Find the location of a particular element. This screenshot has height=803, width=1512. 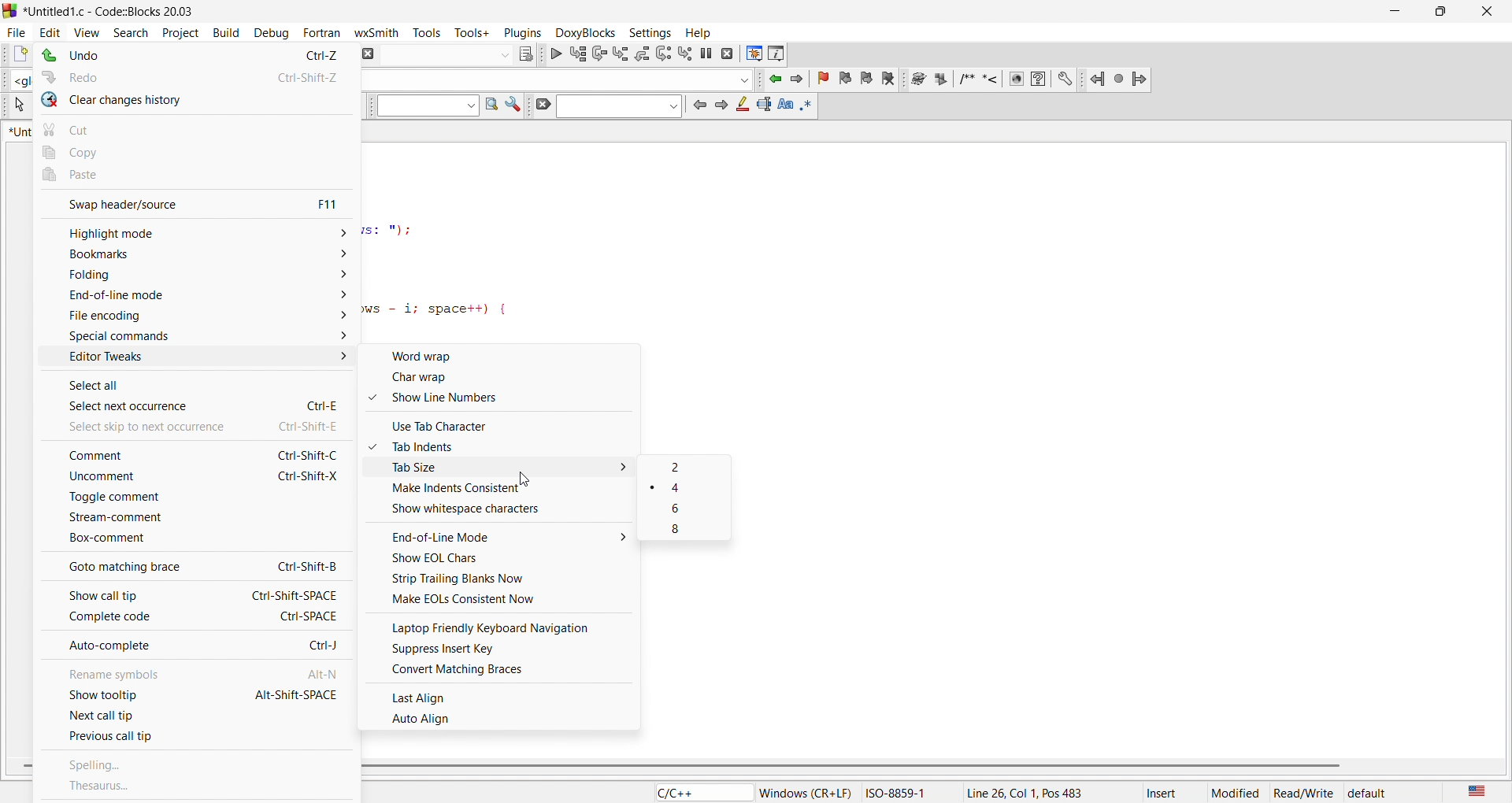

f11 is located at coordinates (331, 204).